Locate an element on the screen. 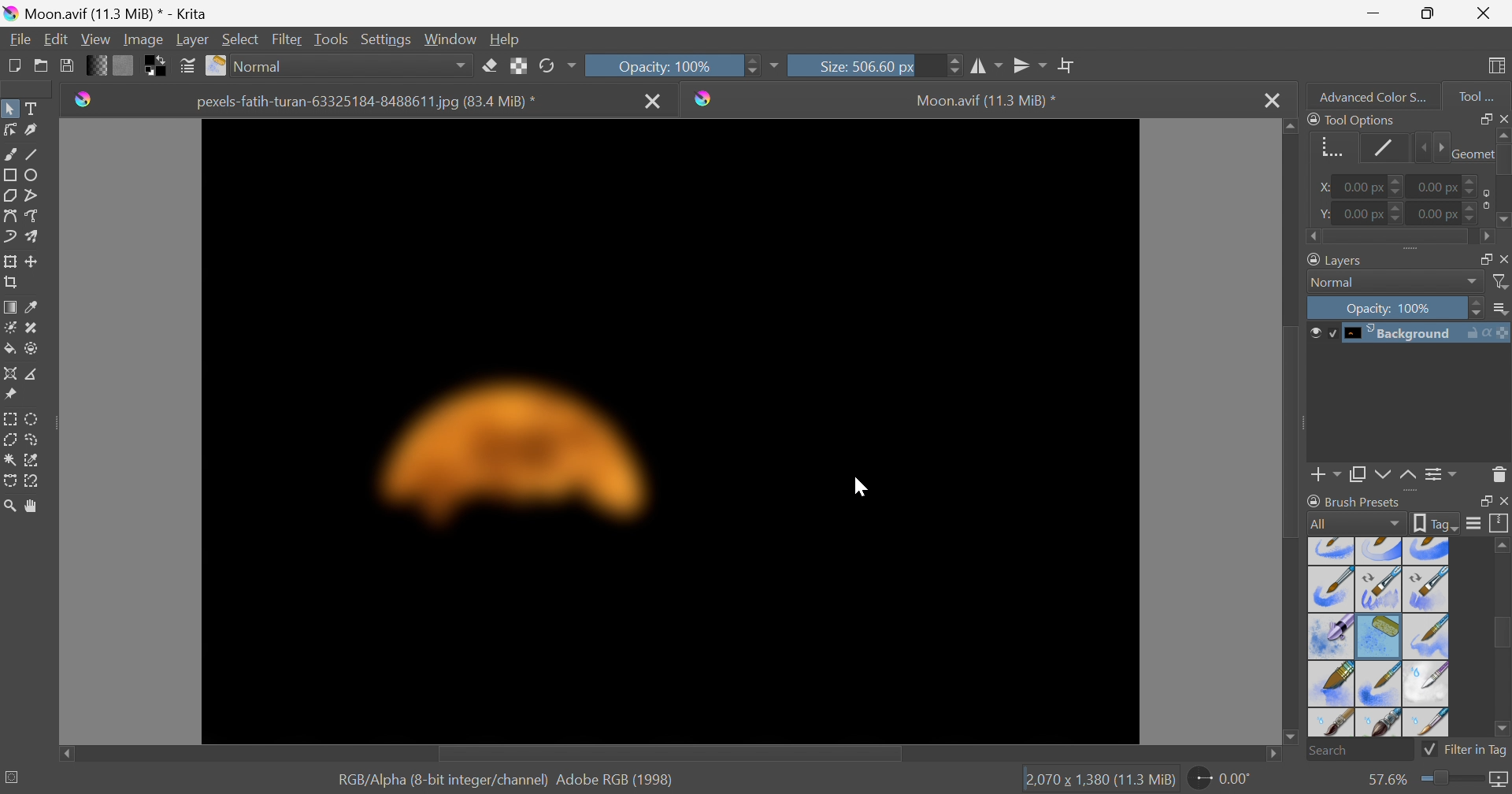  Enclose and fill tool is located at coordinates (31, 350).